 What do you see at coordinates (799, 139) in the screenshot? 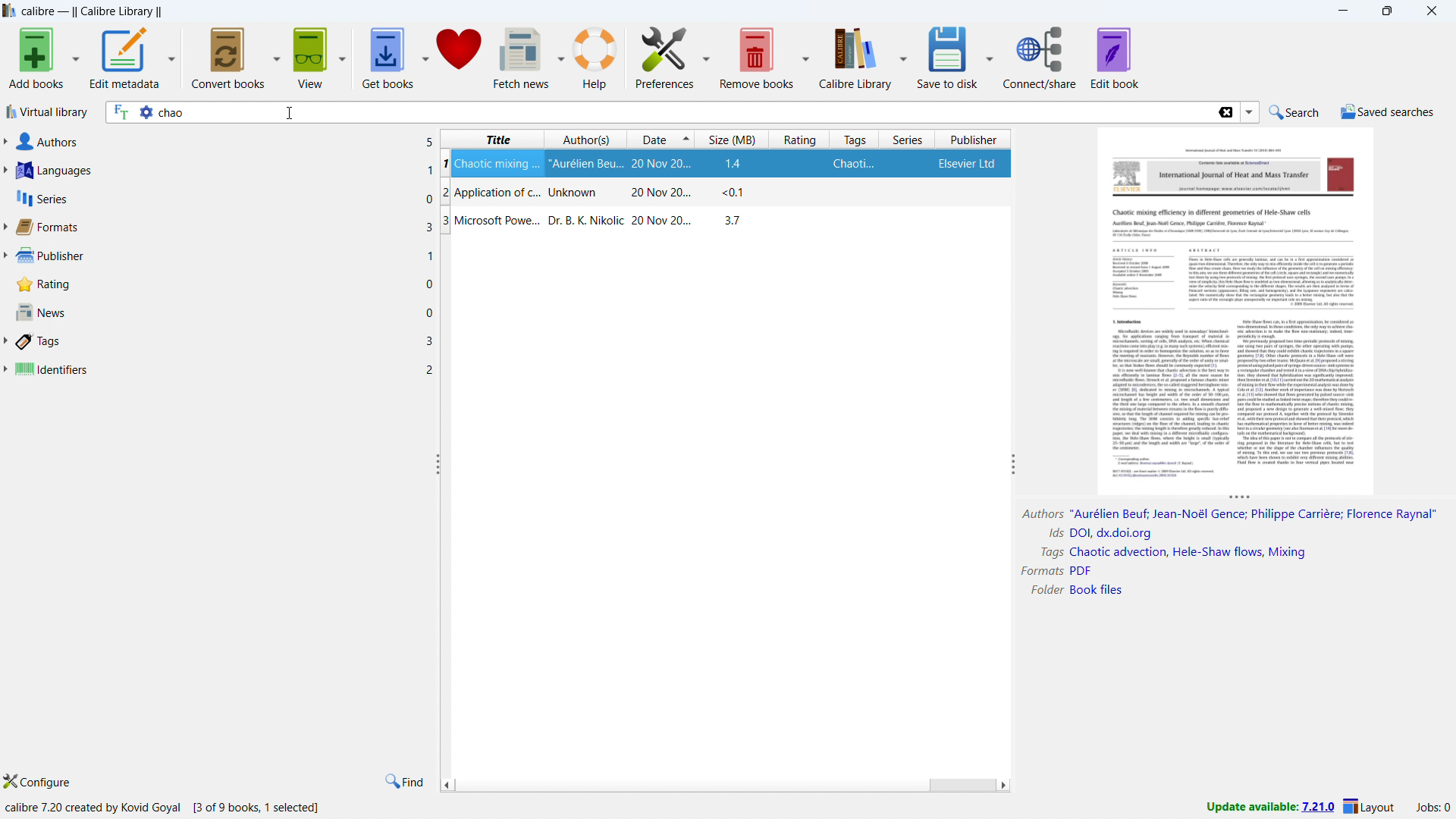
I see `sort by rating` at bounding box center [799, 139].